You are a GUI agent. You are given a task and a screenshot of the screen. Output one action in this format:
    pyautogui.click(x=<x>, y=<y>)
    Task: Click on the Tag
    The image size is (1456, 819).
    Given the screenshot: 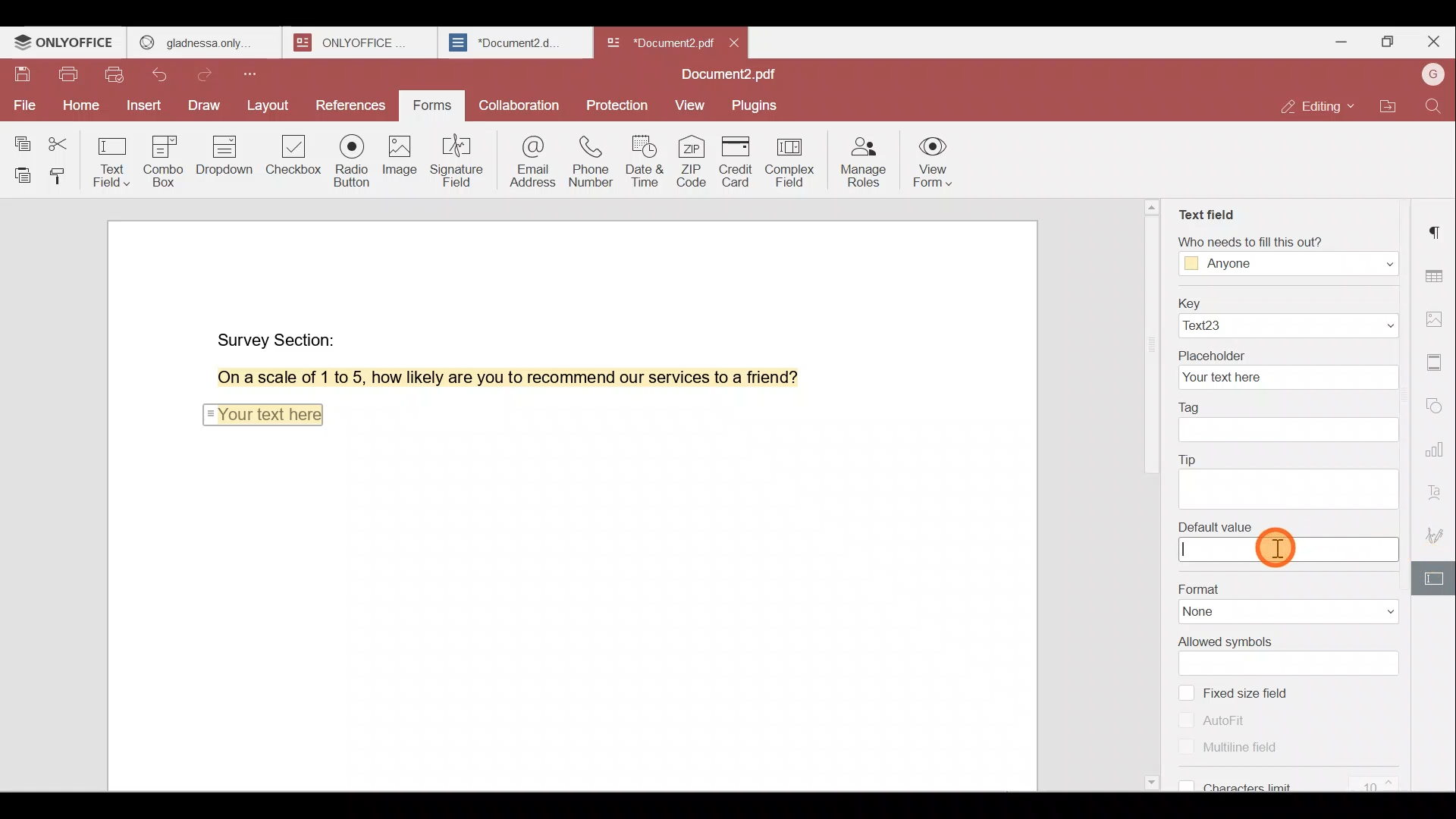 What is the action you would take?
    pyautogui.click(x=1291, y=423)
    